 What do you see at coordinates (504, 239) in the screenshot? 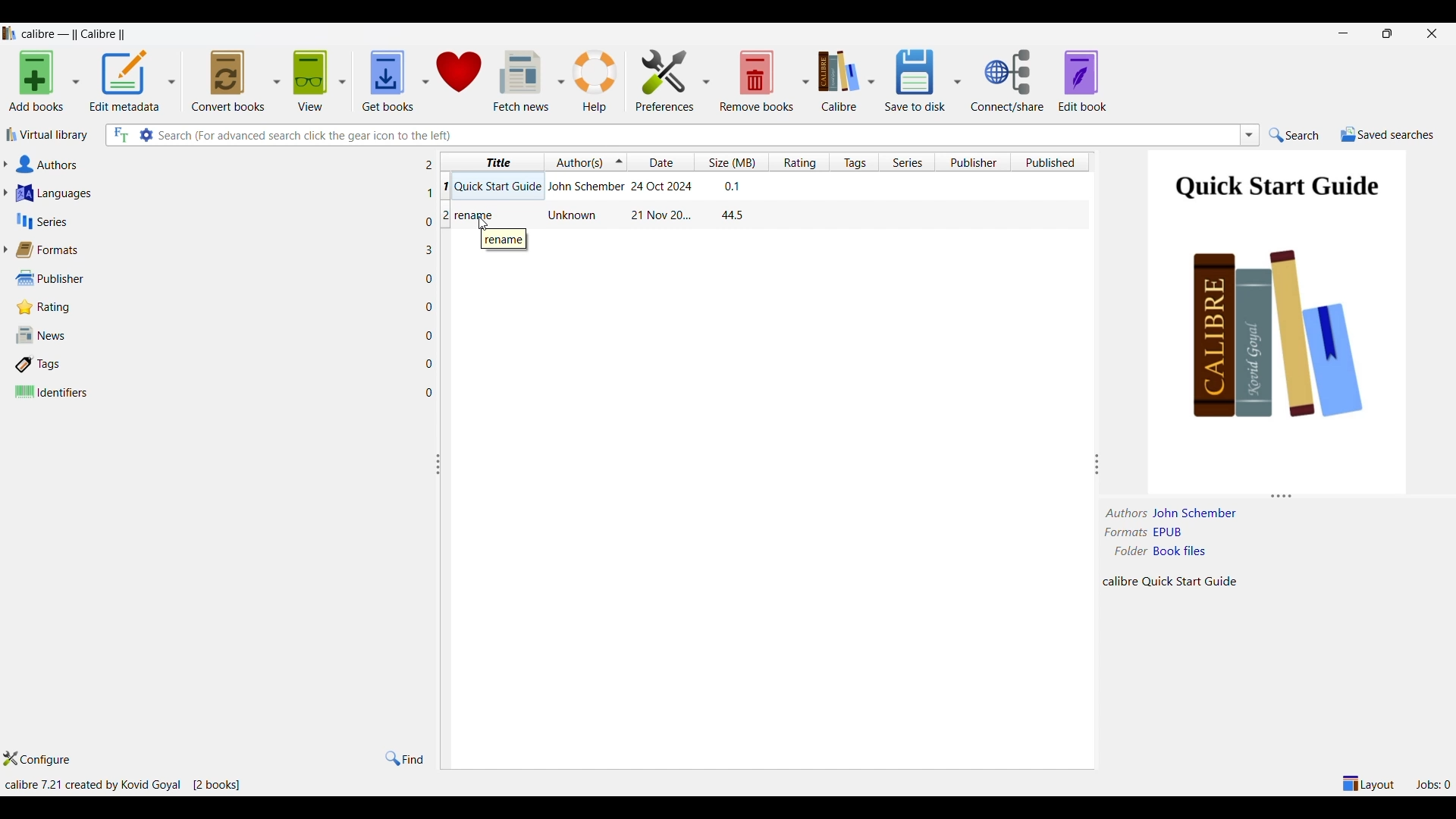
I see `Description of current selection` at bounding box center [504, 239].